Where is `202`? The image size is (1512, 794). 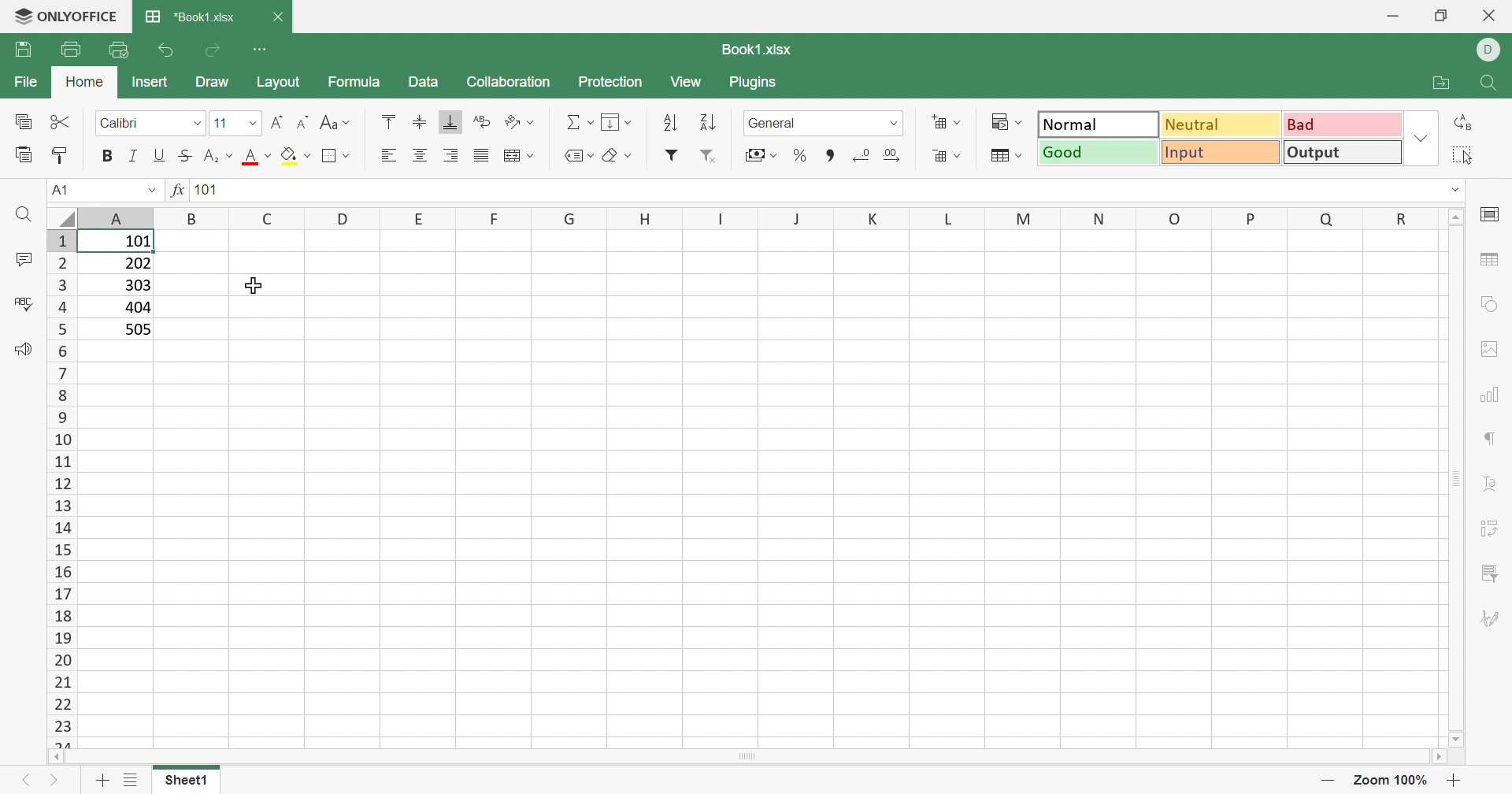
202 is located at coordinates (138, 266).